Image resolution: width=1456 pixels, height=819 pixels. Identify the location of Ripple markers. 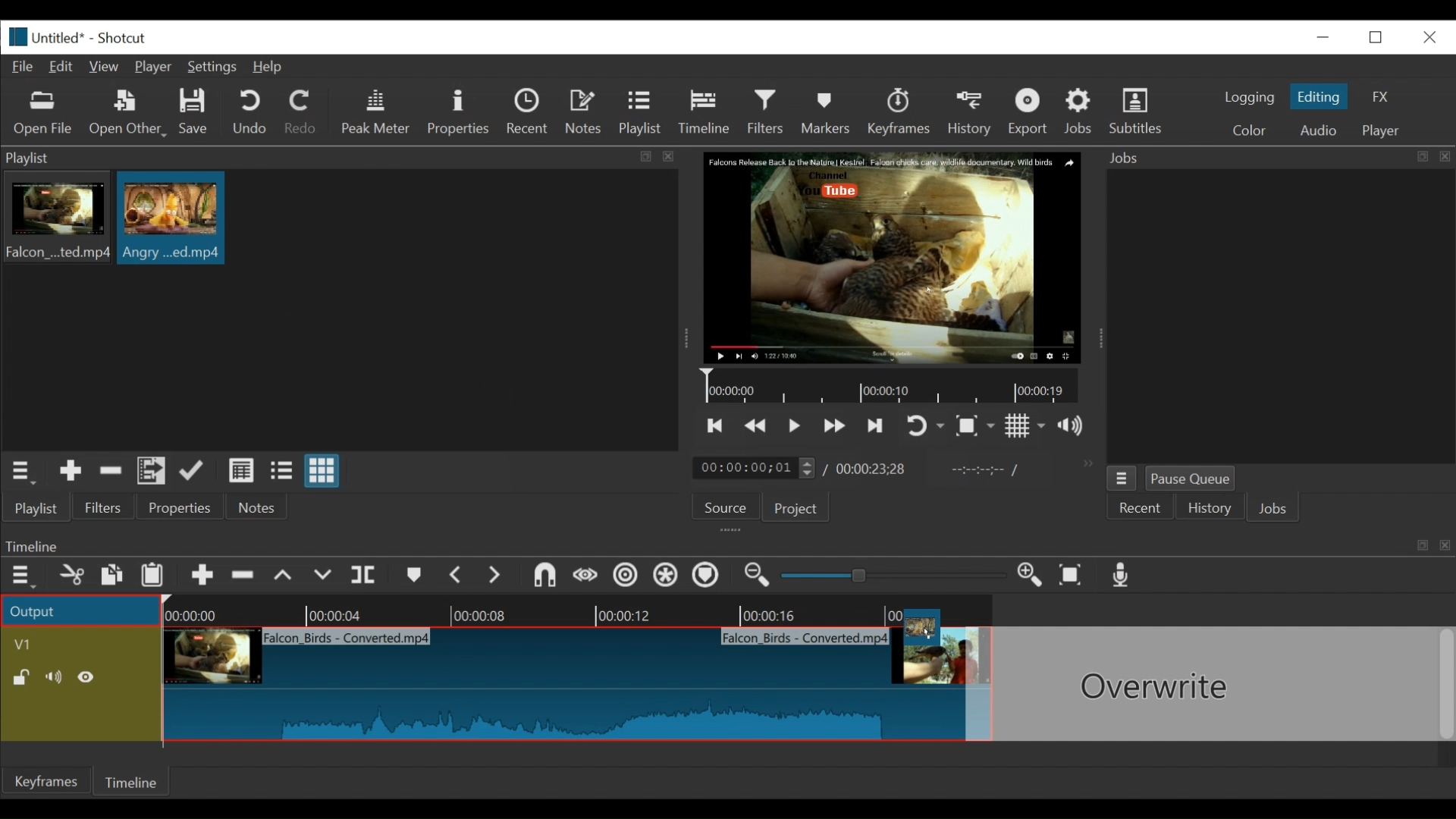
(709, 577).